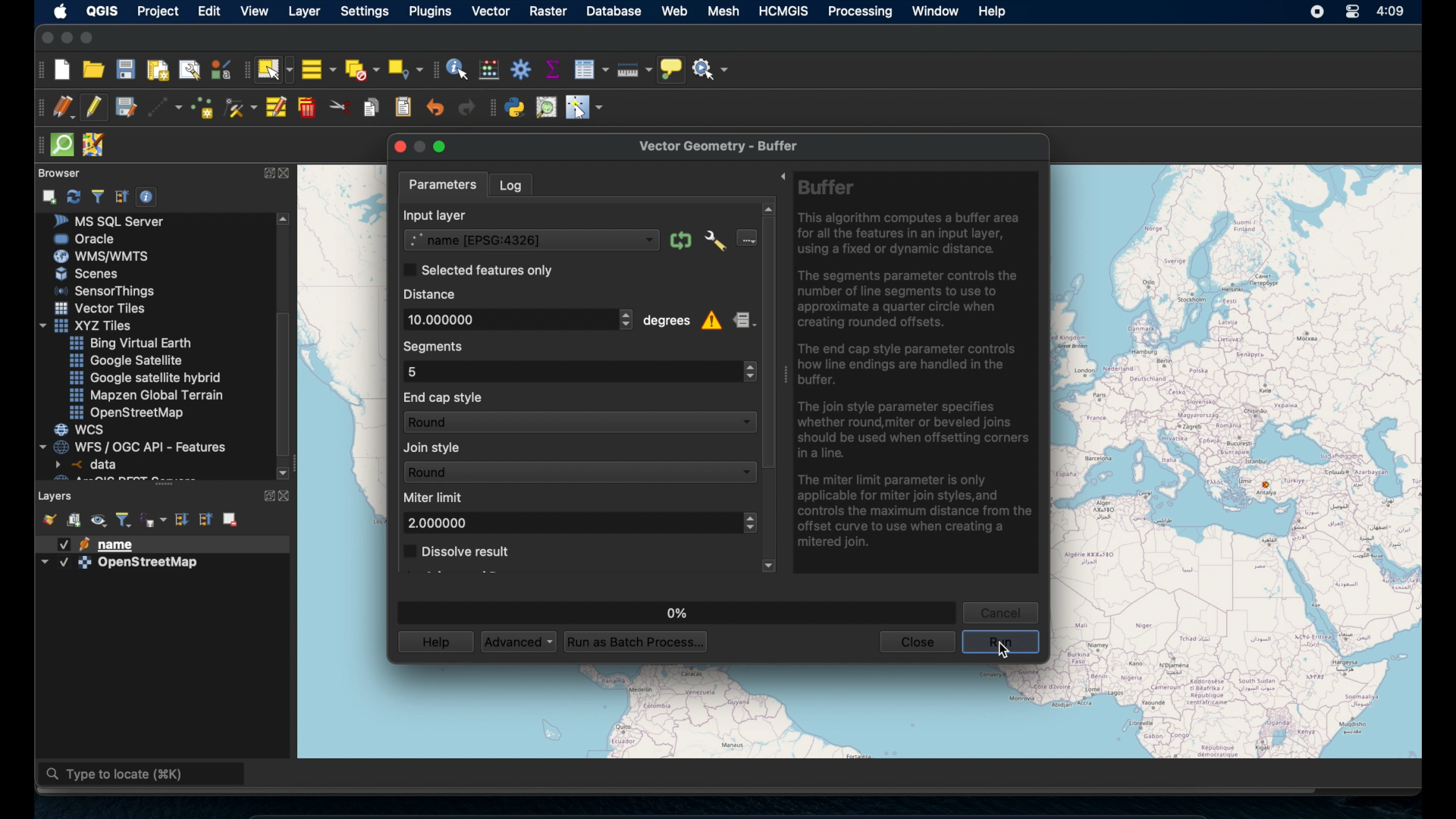  Describe the element at coordinates (267, 172) in the screenshot. I see `expand` at that location.